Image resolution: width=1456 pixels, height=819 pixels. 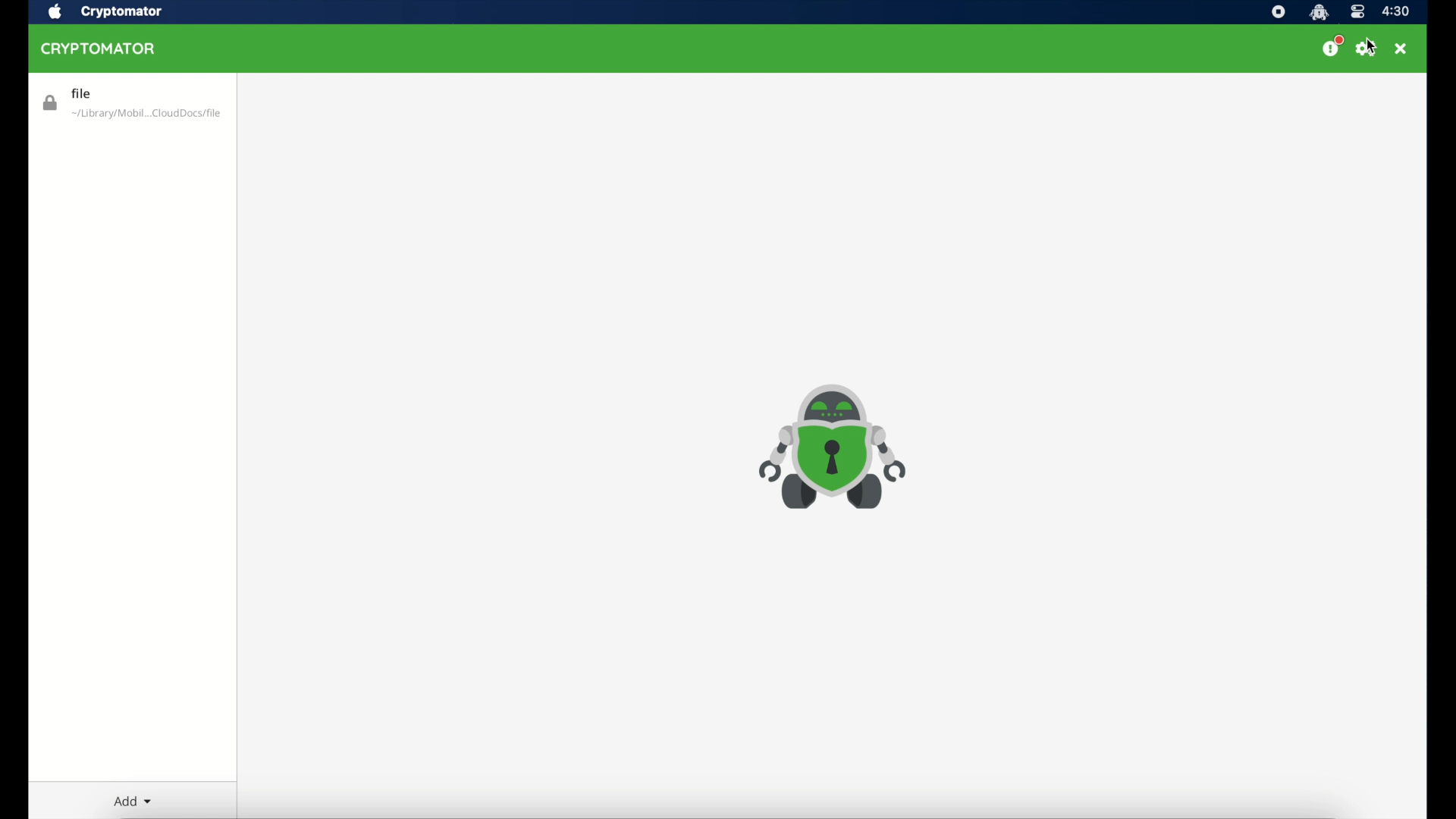 I want to click on cursor, so click(x=1372, y=46).